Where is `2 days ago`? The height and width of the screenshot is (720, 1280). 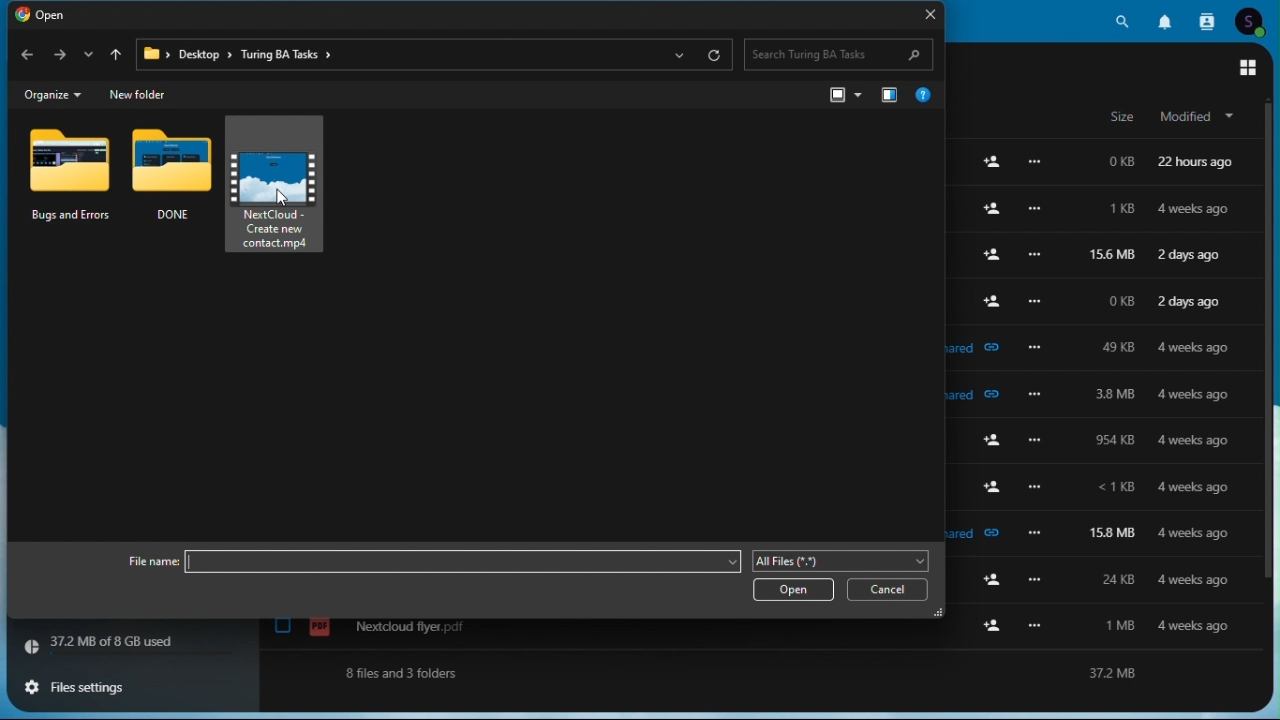 2 days ago is located at coordinates (1191, 304).